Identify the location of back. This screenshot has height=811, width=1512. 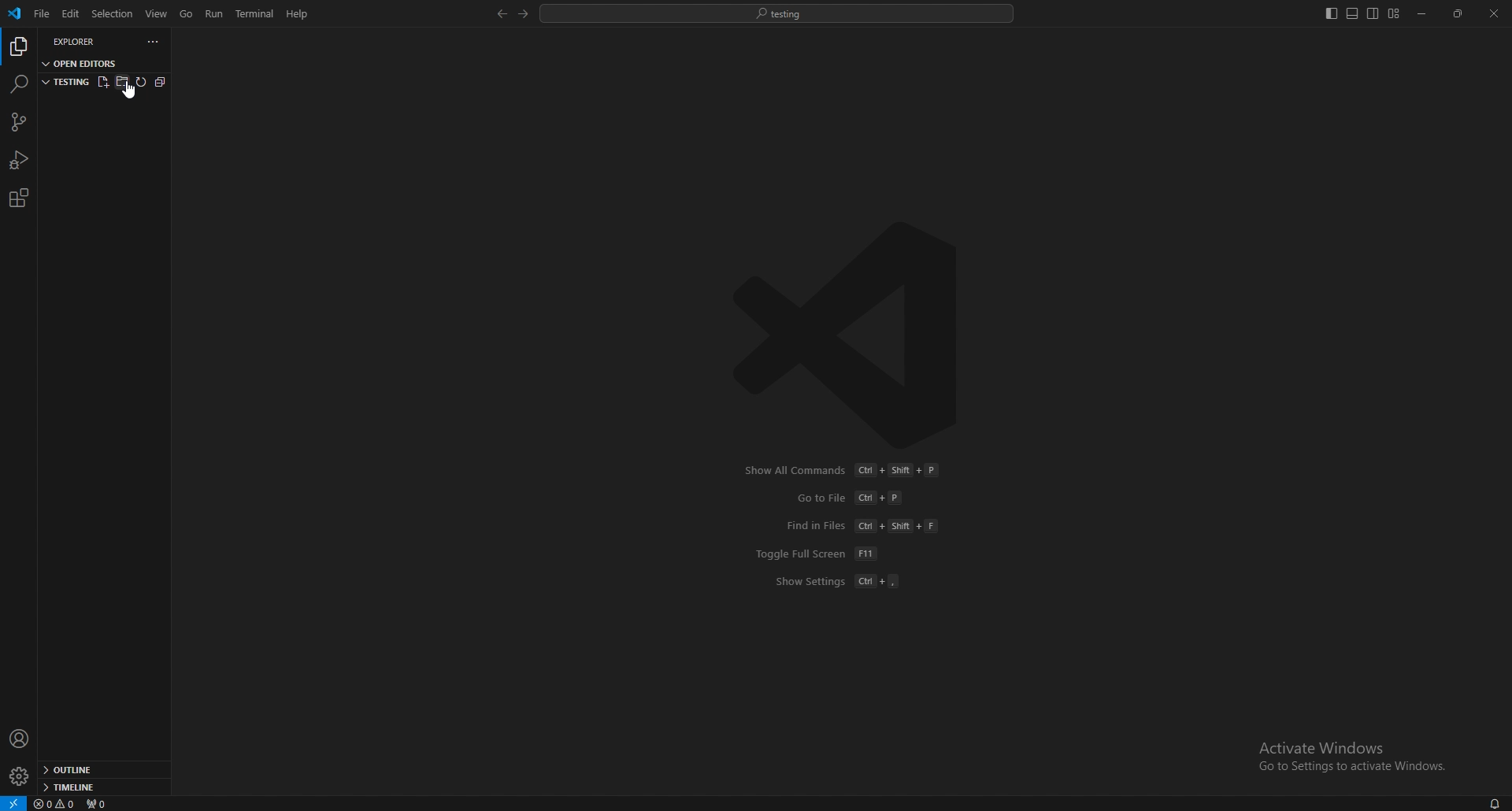
(498, 14).